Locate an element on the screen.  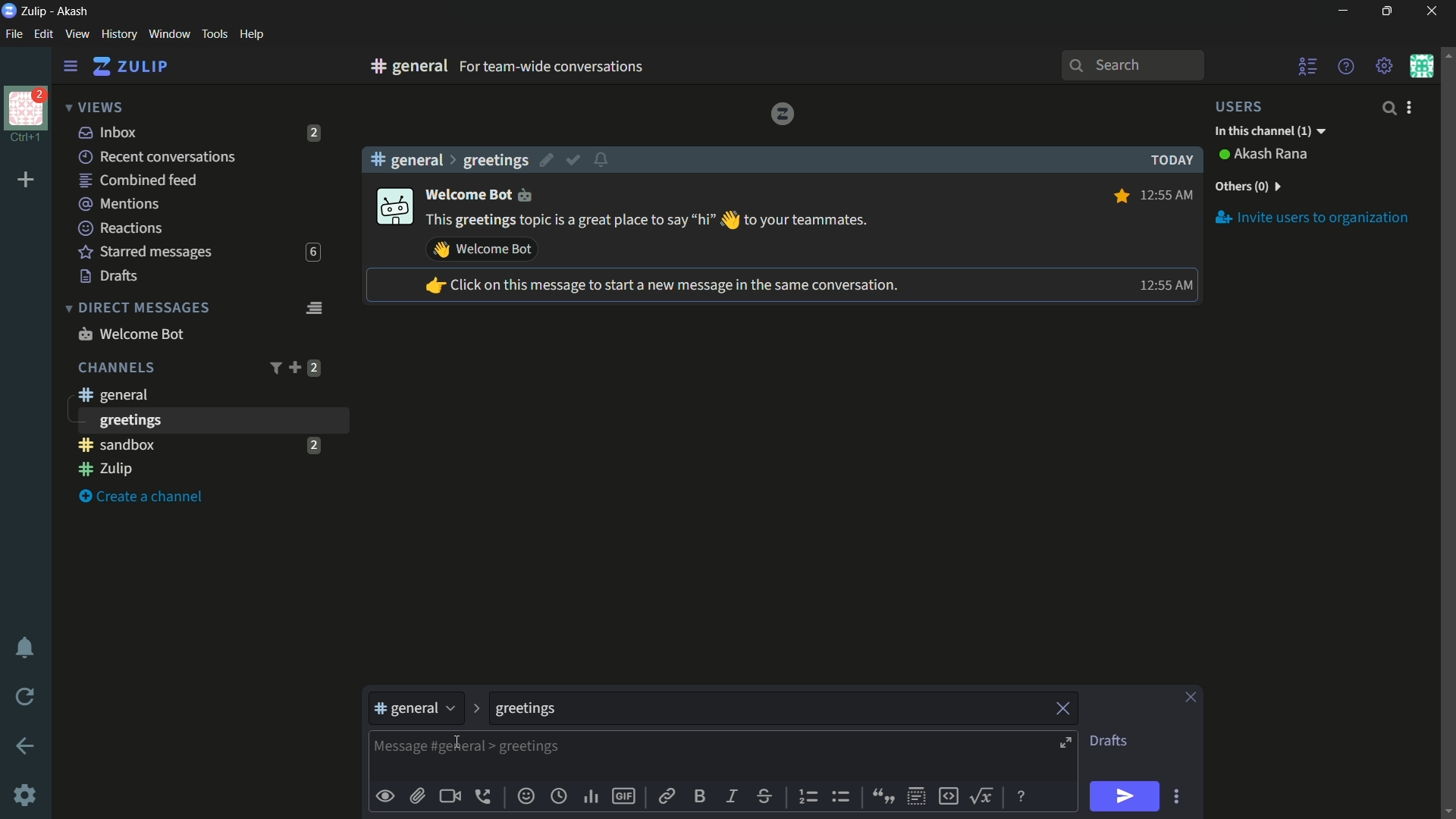
code is located at coordinates (948, 795).